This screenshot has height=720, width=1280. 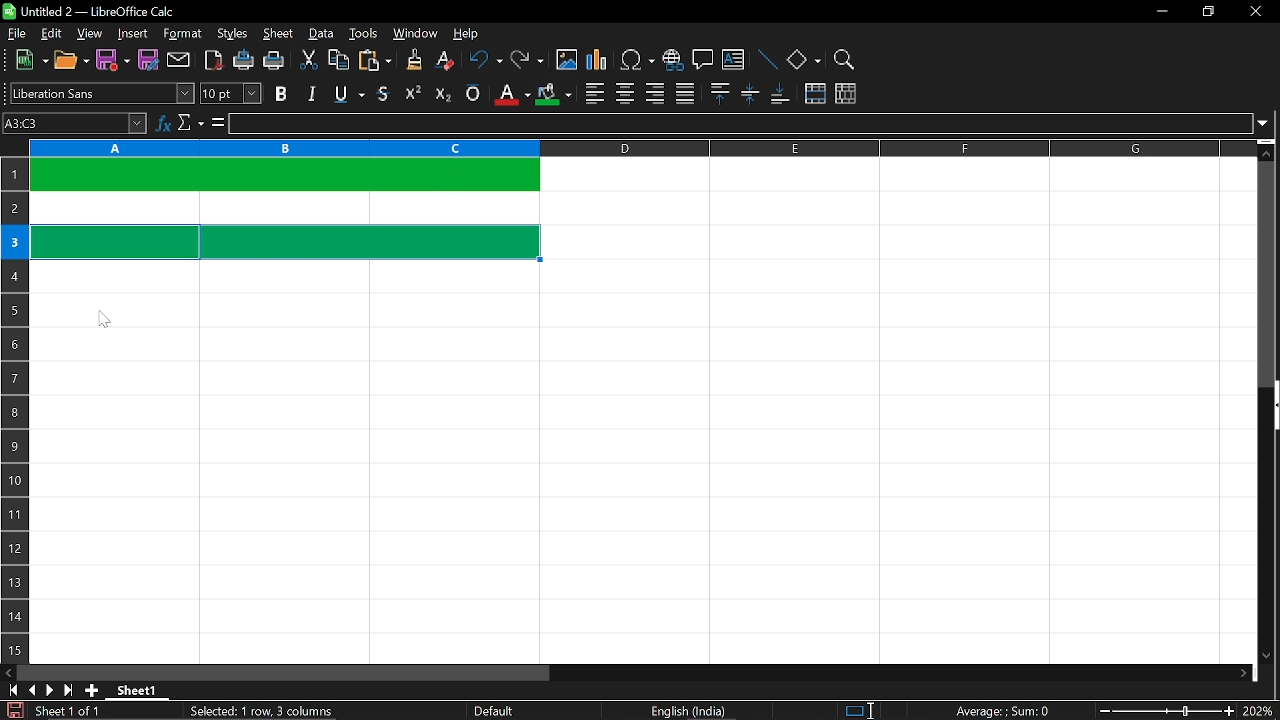 What do you see at coordinates (48, 690) in the screenshot?
I see `next sheet` at bounding box center [48, 690].